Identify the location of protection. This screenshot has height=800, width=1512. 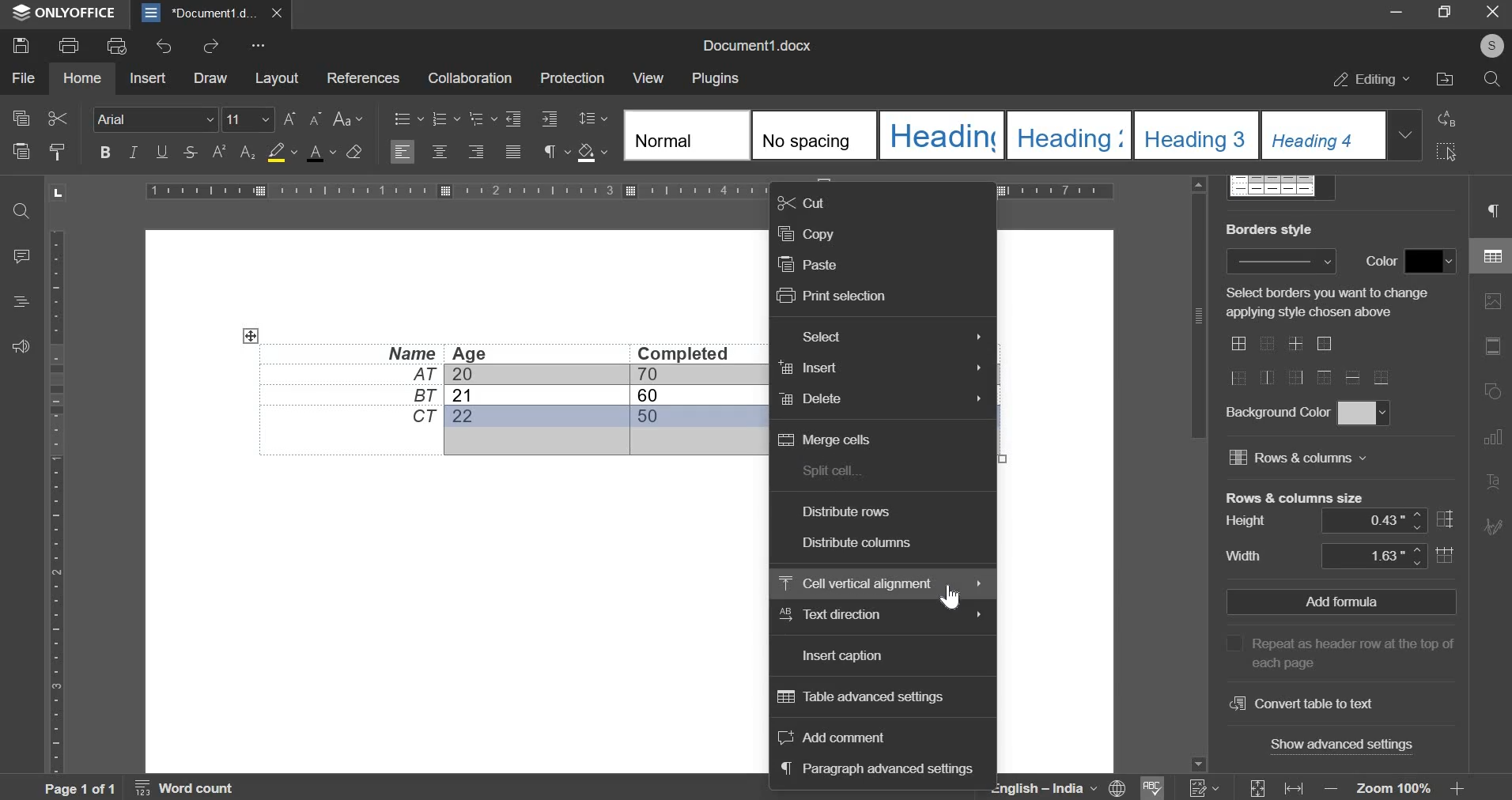
(572, 78).